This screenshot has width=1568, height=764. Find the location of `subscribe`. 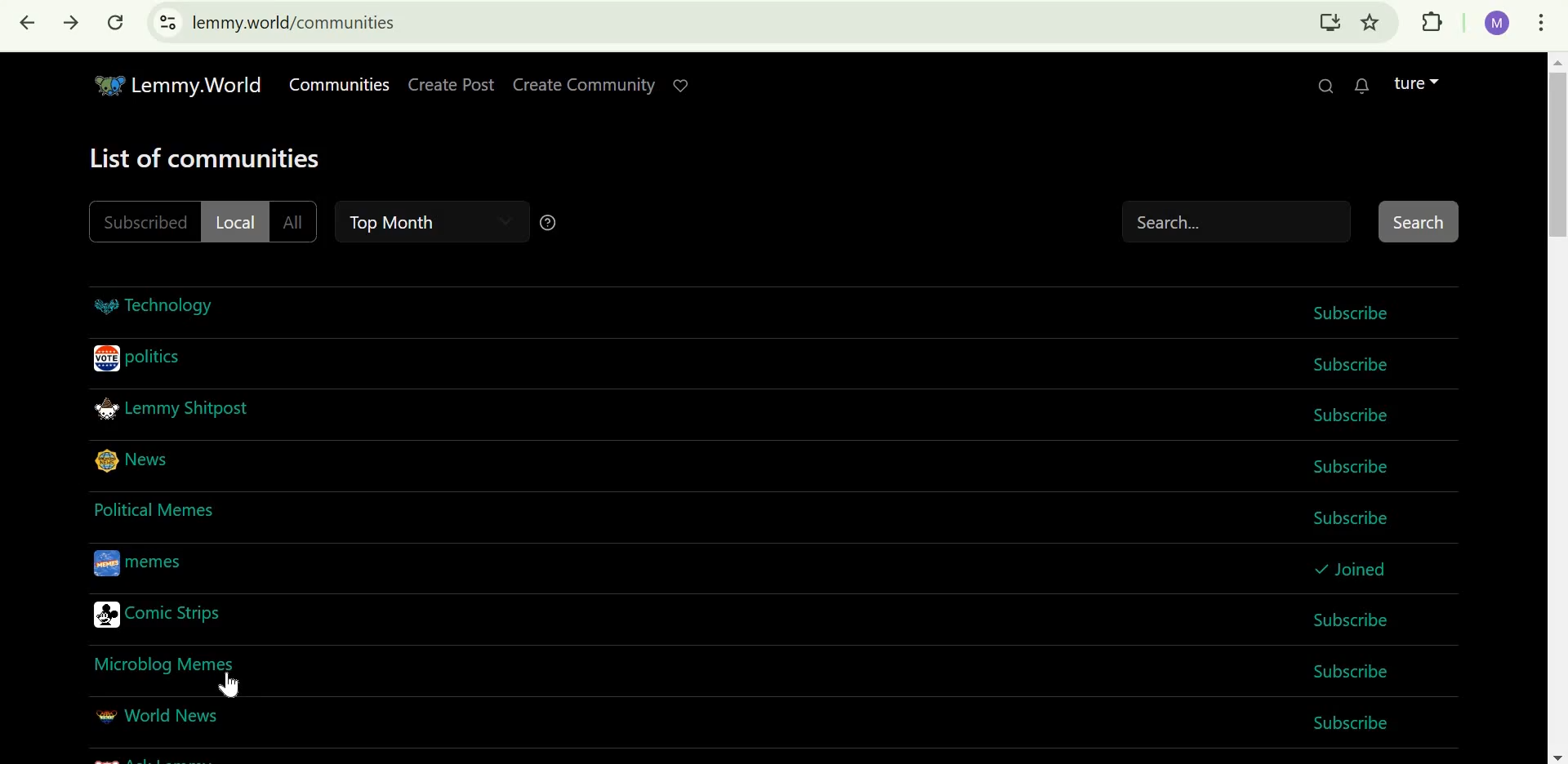

subscribe is located at coordinates (1357, 312).